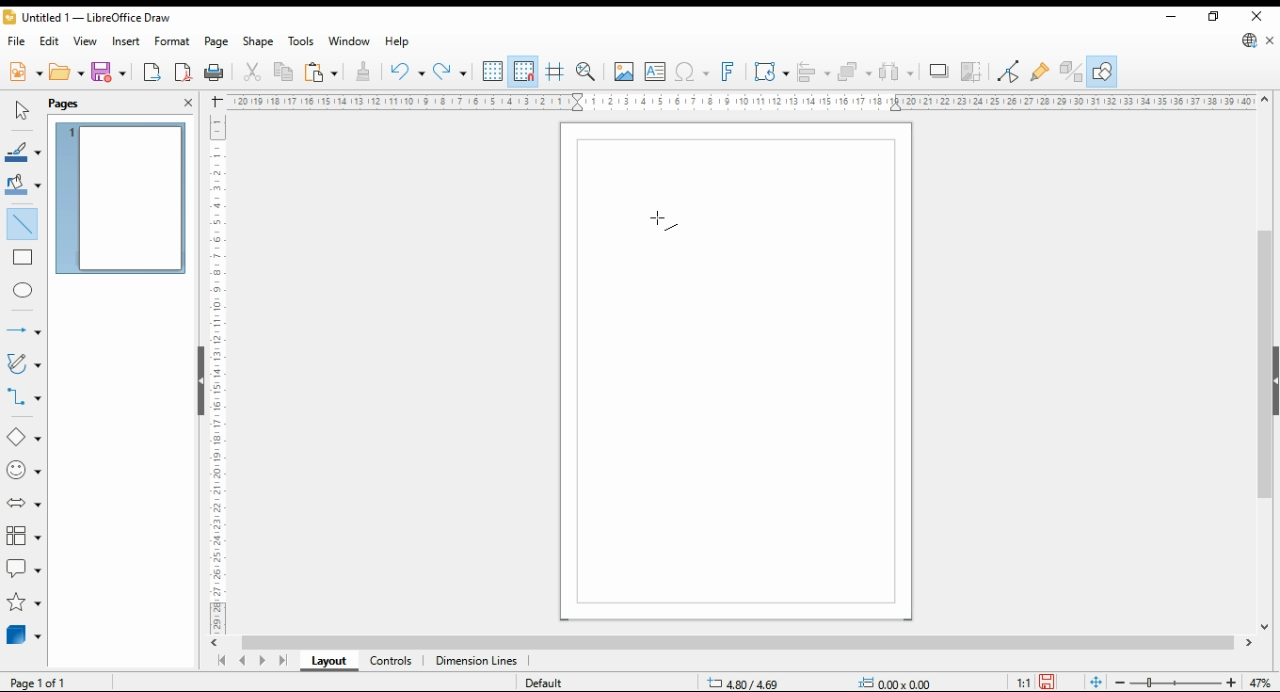  Describe the element at coordinates (183, 72) in the screenshot. I see `export as PDF` at that location.